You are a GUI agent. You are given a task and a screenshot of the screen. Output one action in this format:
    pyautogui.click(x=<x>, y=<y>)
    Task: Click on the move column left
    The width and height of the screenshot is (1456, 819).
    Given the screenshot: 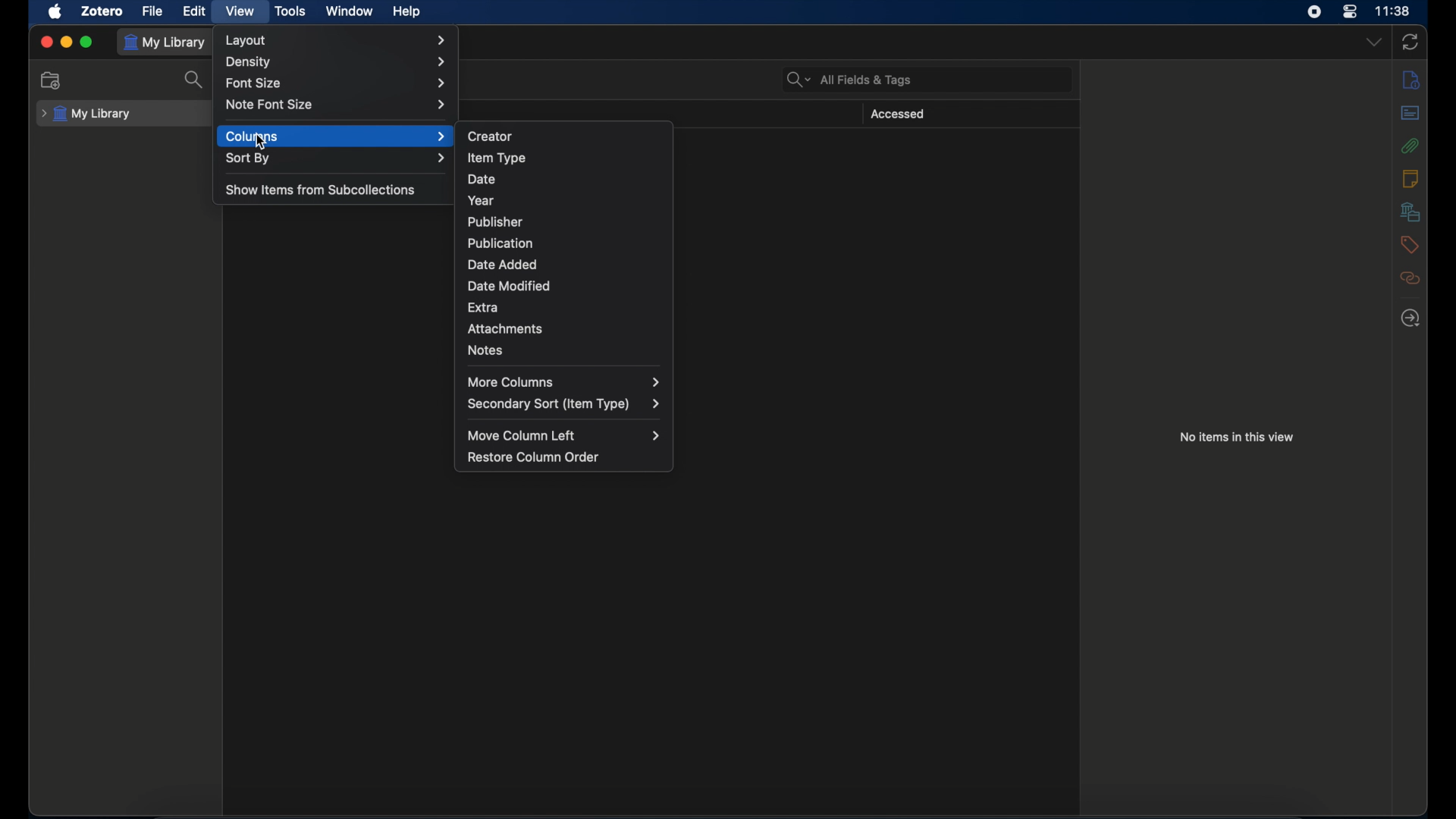 What is the action you would take?
    pyautogui.click(x=564, y=437)
    